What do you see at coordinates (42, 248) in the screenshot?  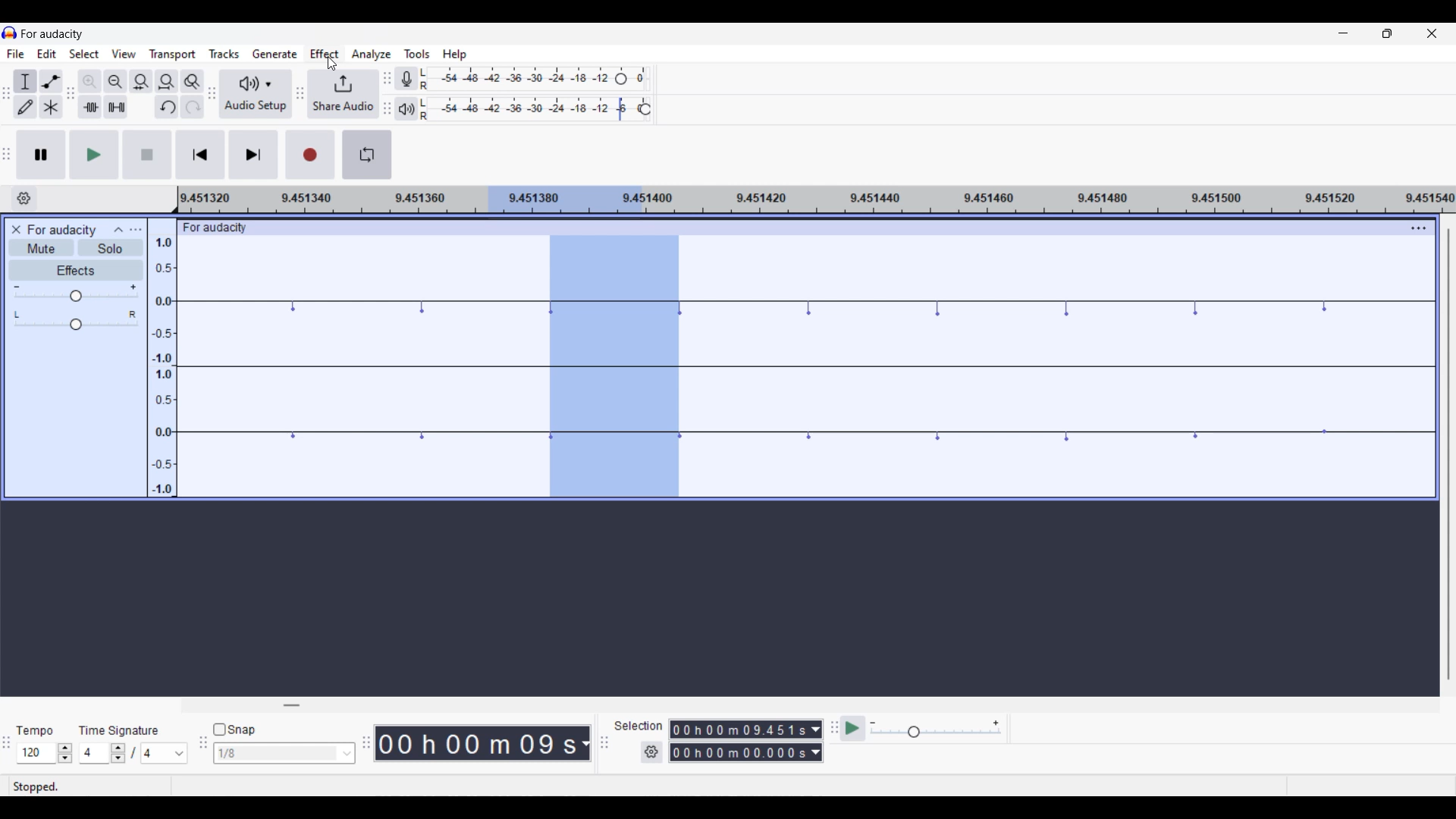 I see `Mute` at bounding box center [42, 248].